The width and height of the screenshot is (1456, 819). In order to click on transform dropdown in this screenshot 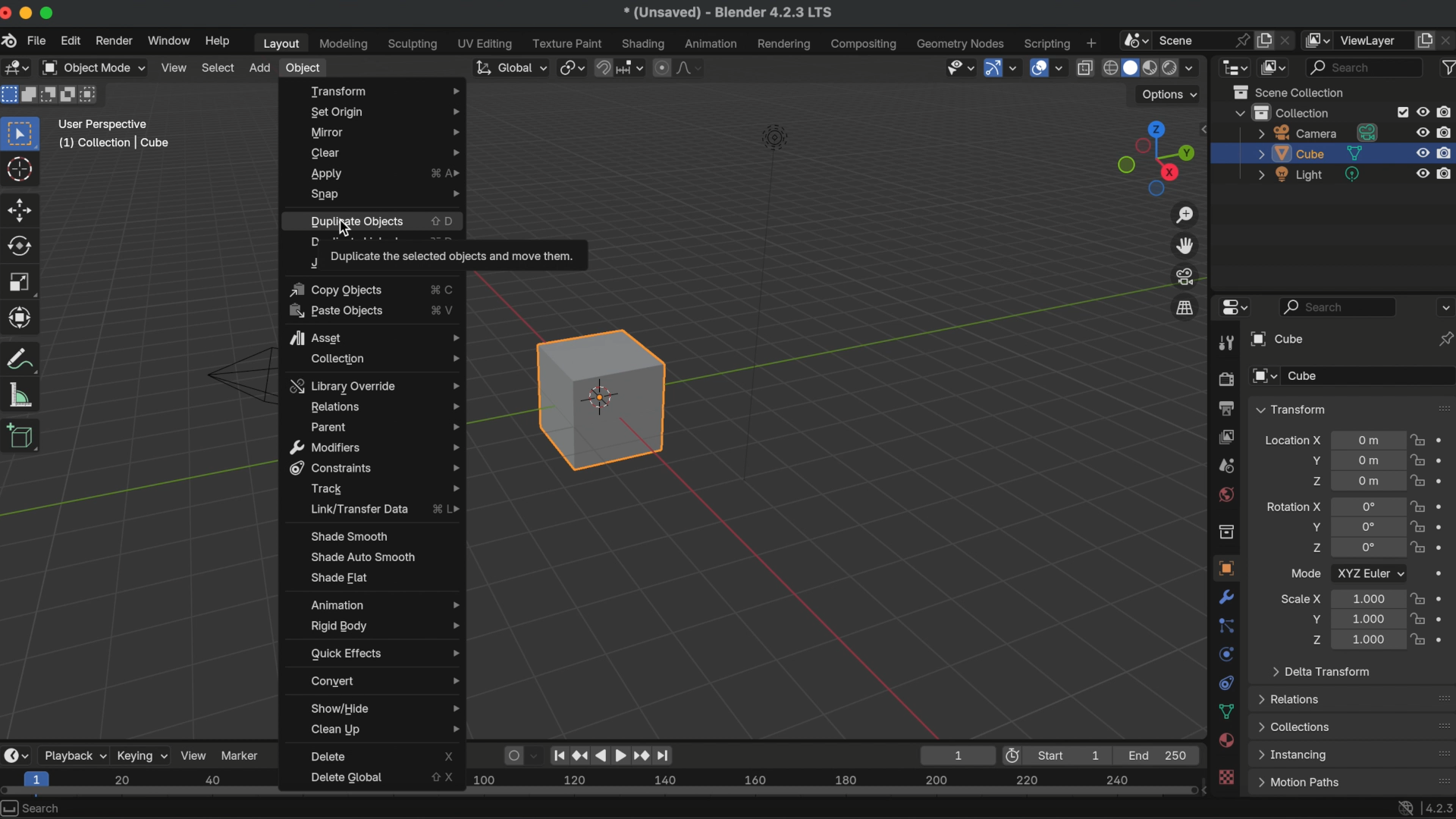, I will do `click(1291, 409)`.